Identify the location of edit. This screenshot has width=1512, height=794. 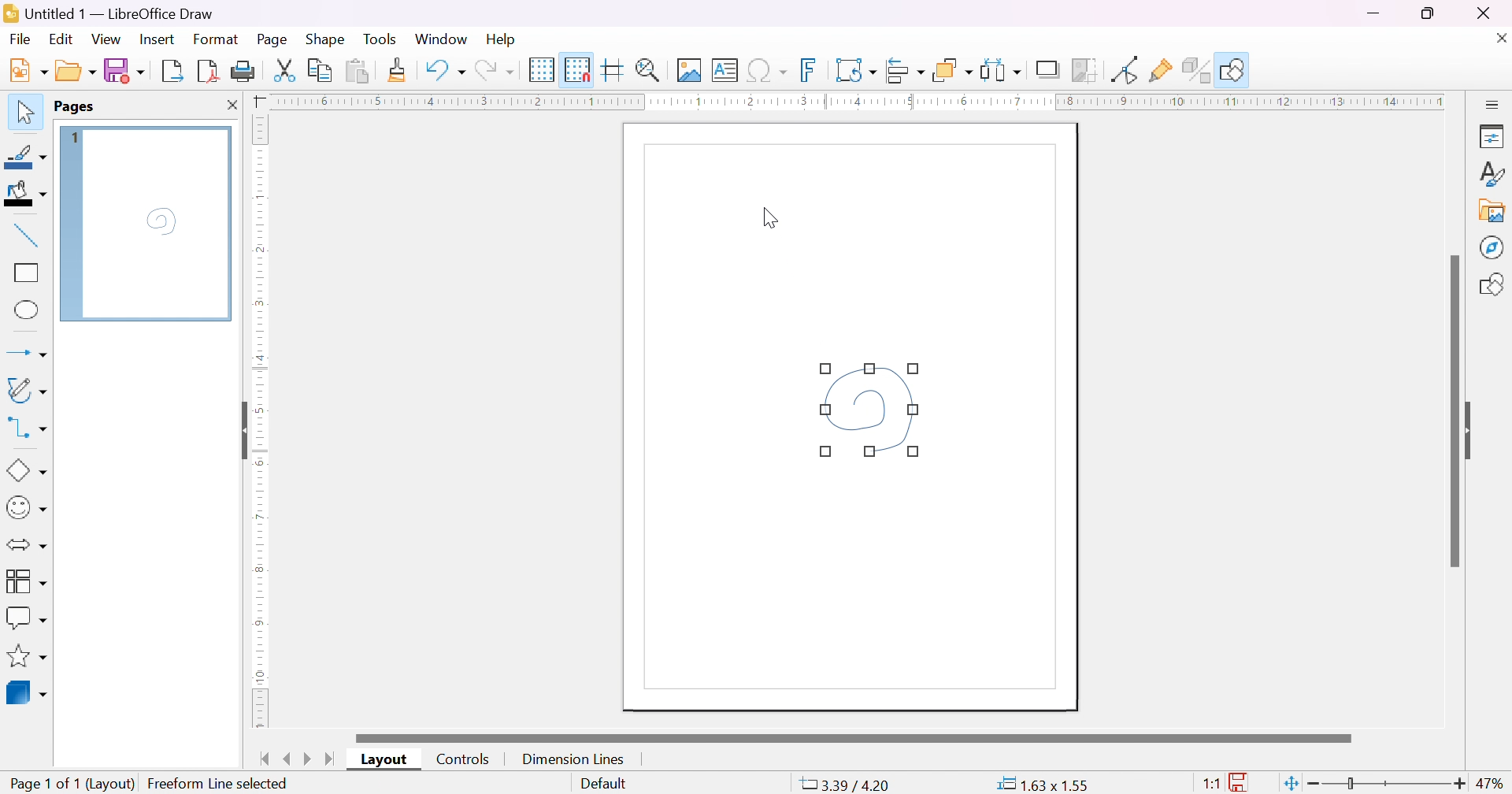
(61, 37).